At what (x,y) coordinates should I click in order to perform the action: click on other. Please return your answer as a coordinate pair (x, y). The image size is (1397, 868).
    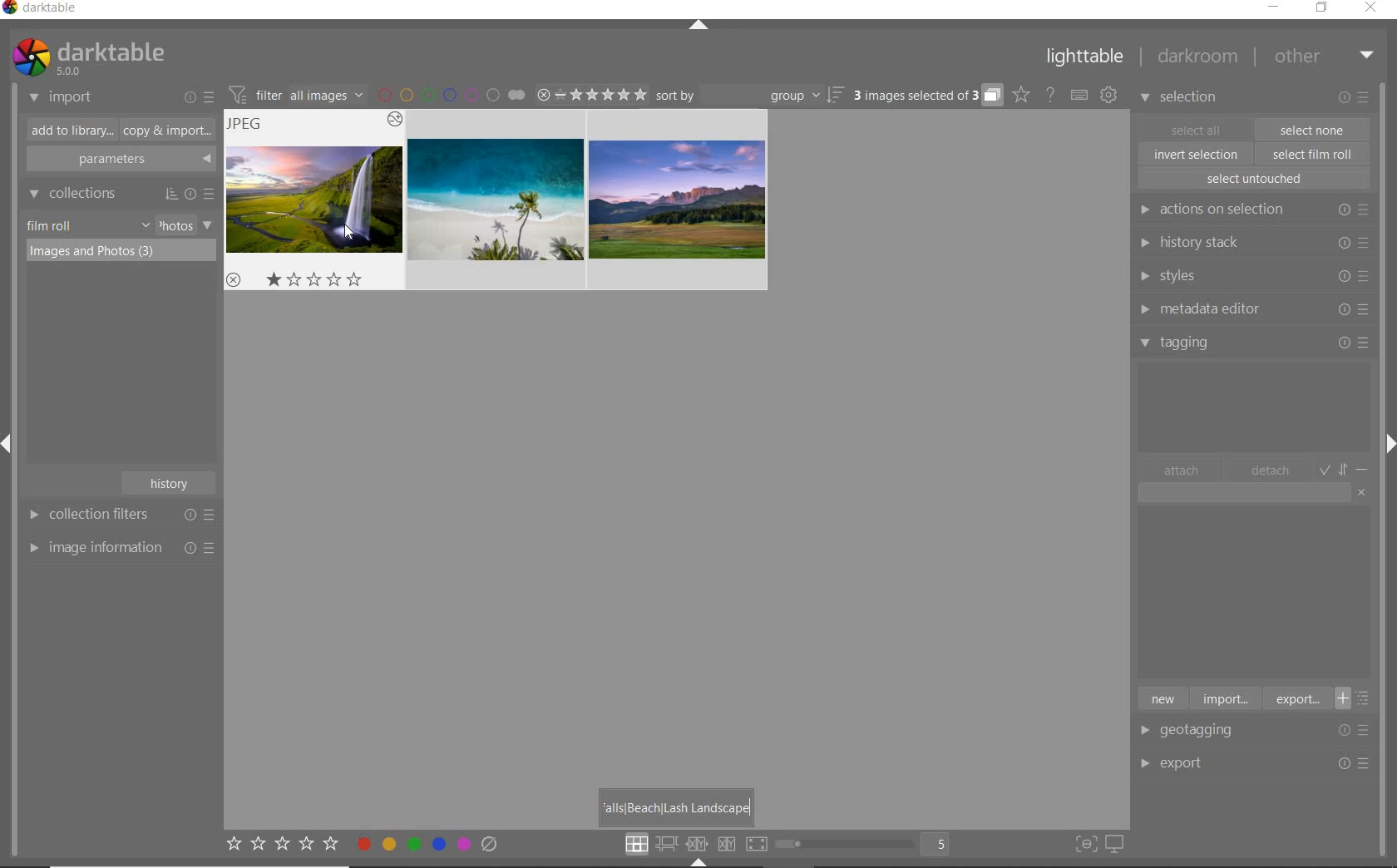
    Looking at the image, I should click on (1324, 56).